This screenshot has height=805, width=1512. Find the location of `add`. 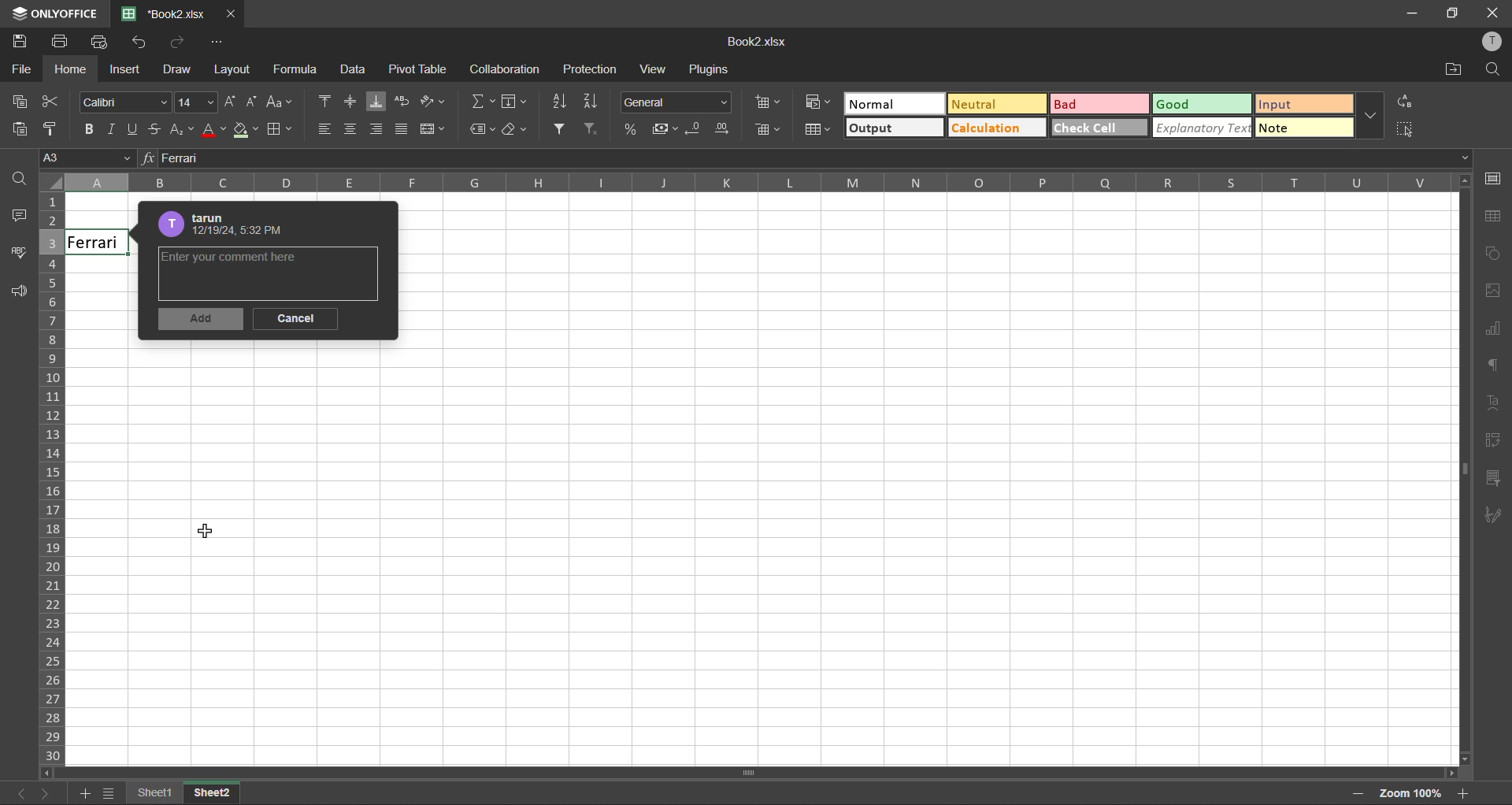

add is located at coordinates (202, 321).